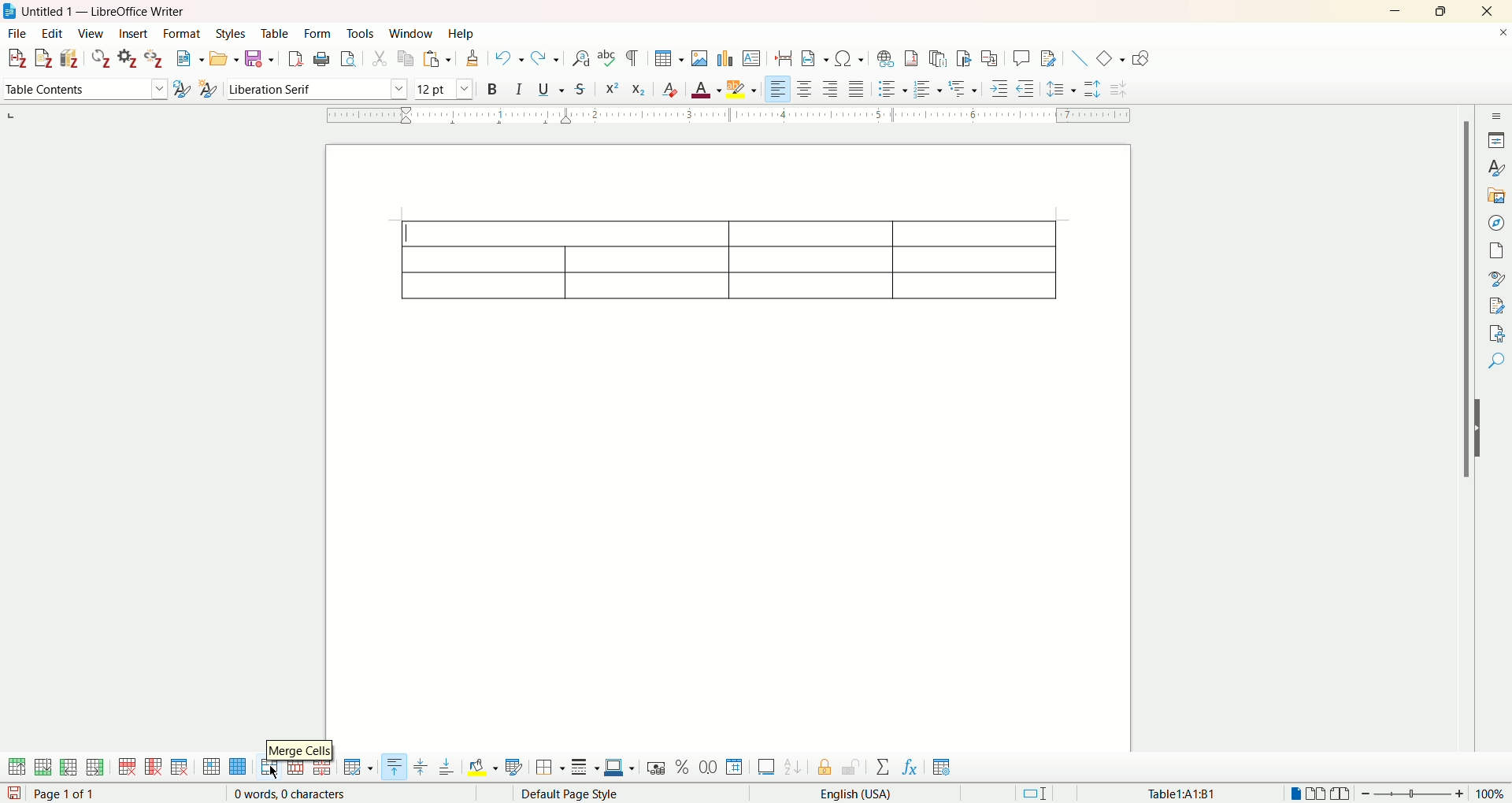  I want to click on insert hyperlink, so click(884, 60).